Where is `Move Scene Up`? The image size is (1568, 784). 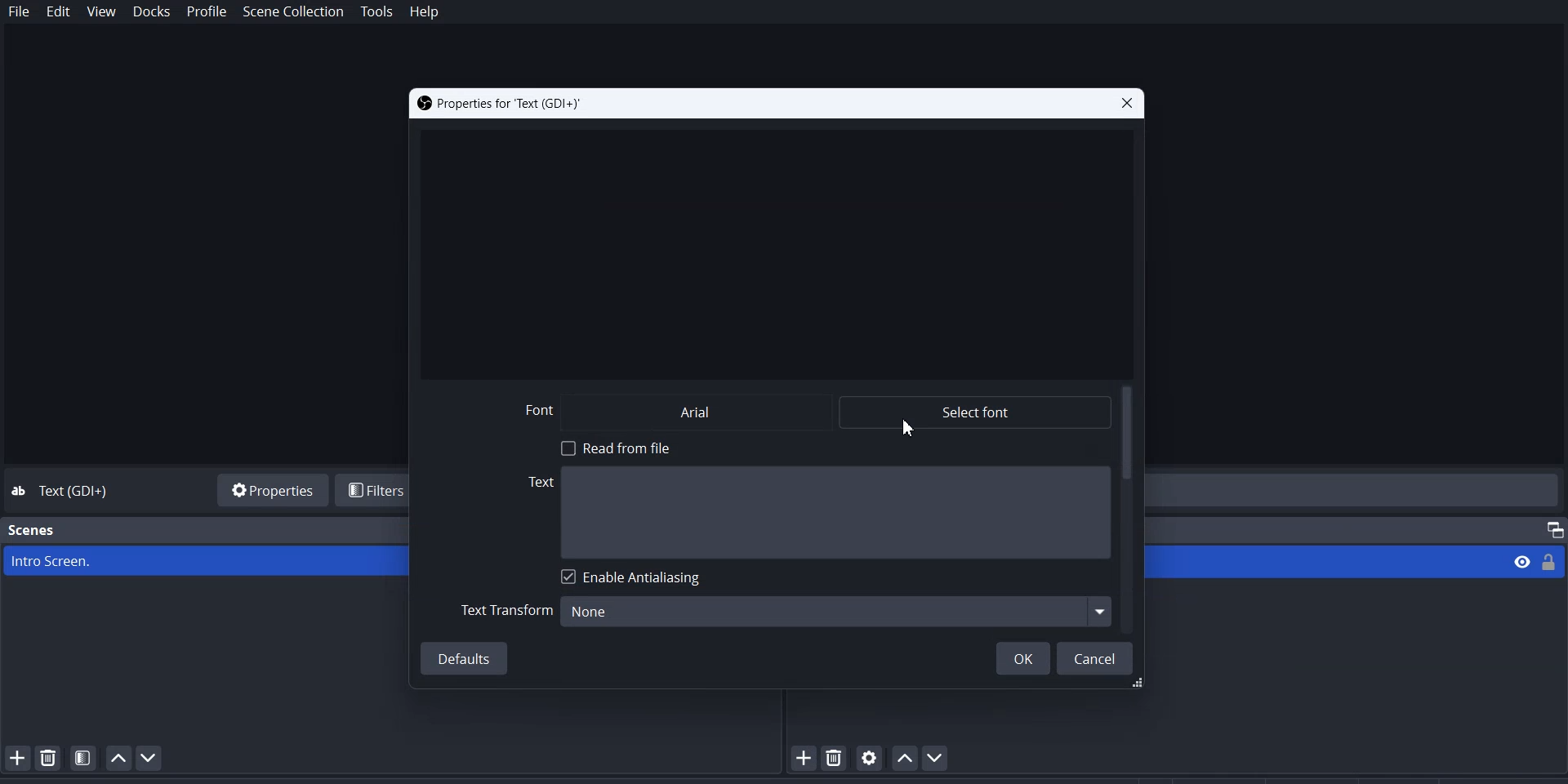
Move Scene Up is located at coordinates (118, 758).